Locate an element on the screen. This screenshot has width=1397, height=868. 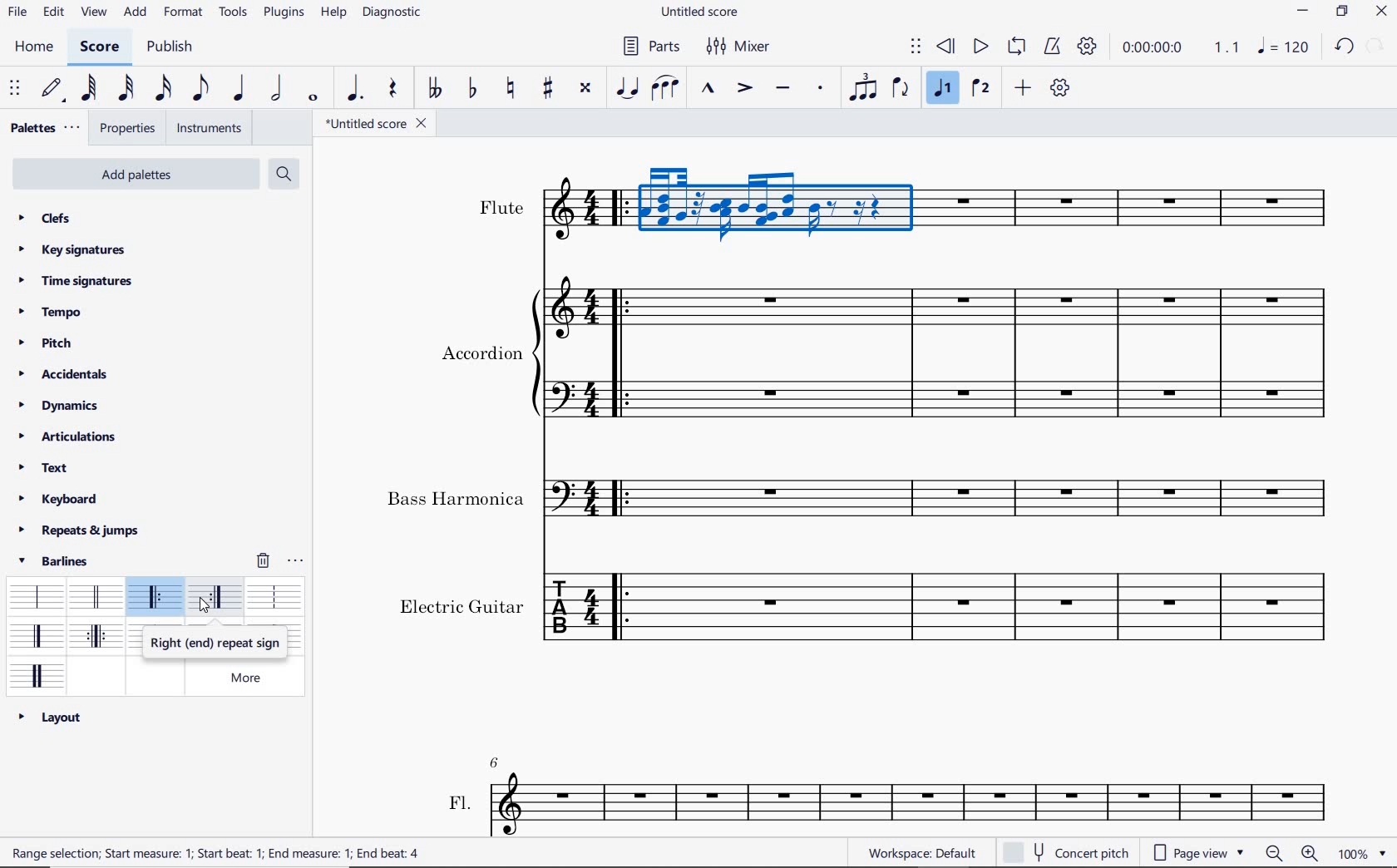
page view is located at coordinates (1202, 851).